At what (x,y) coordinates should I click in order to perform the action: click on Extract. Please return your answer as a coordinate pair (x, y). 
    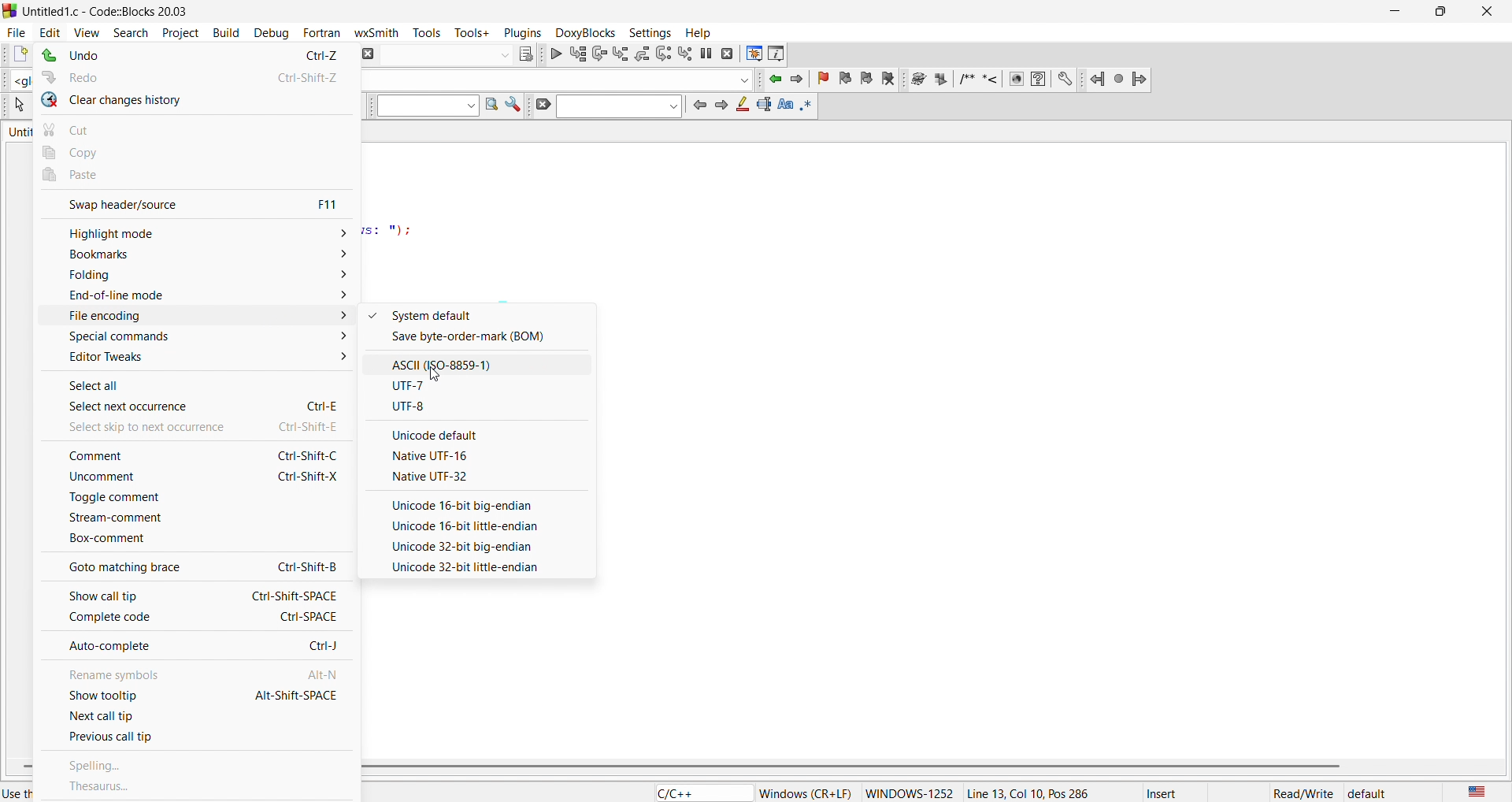
    Looking at the image, I should click on (939, 80).